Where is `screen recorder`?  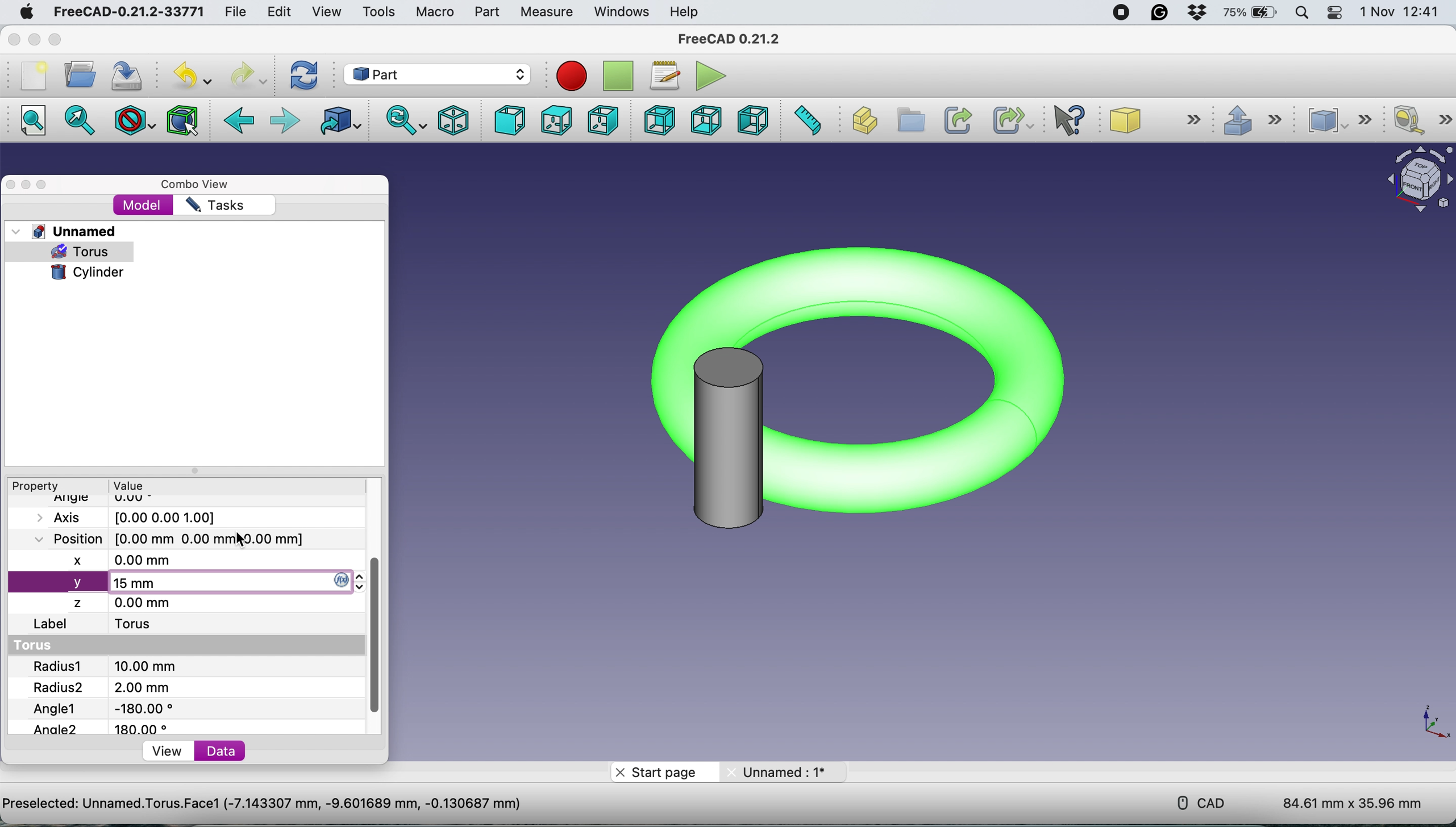 screen recorder is located at coordinates (1121, 13).